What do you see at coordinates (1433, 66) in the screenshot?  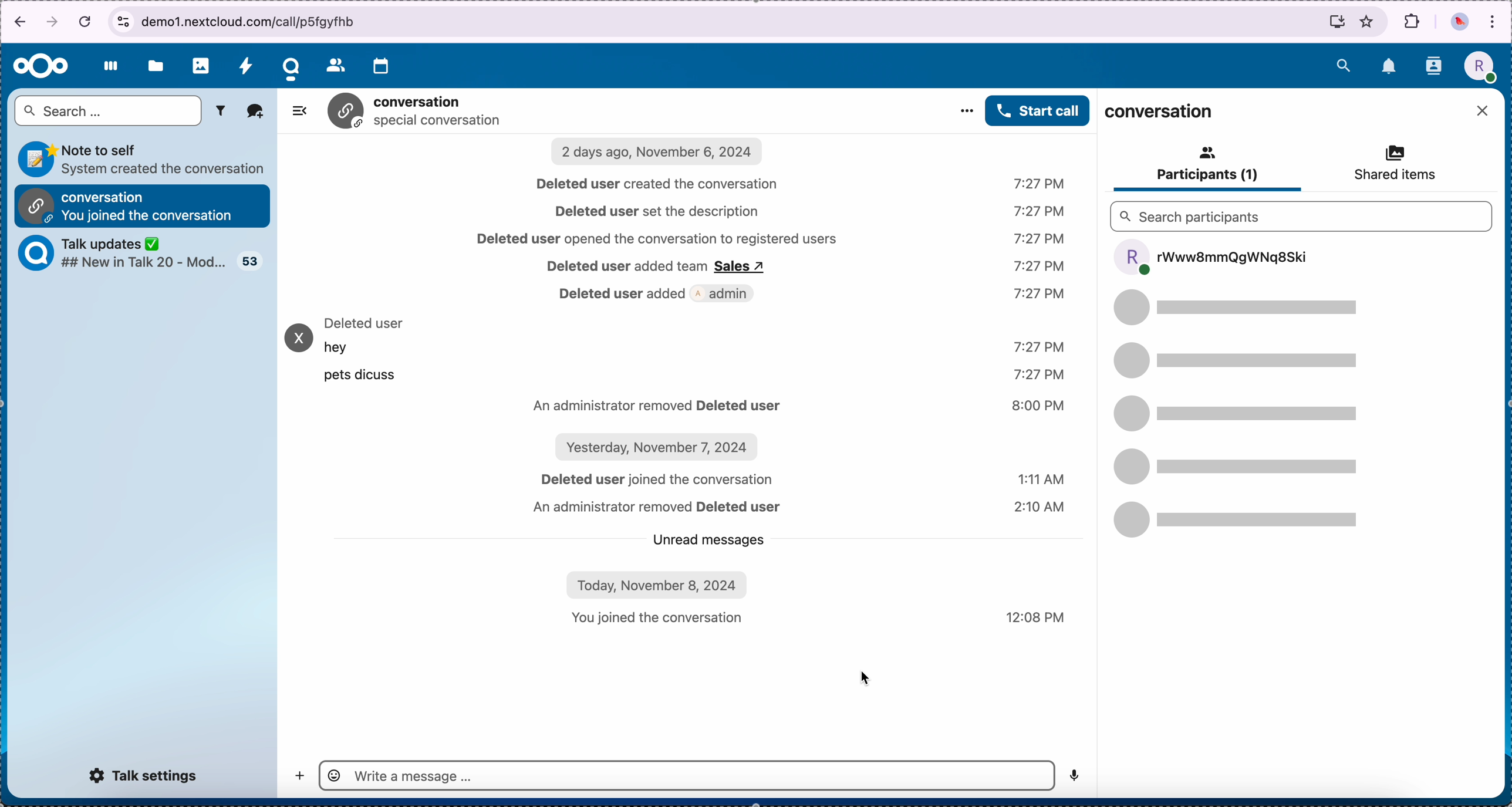 I see `contacts` at bounding box center [1433, 66].